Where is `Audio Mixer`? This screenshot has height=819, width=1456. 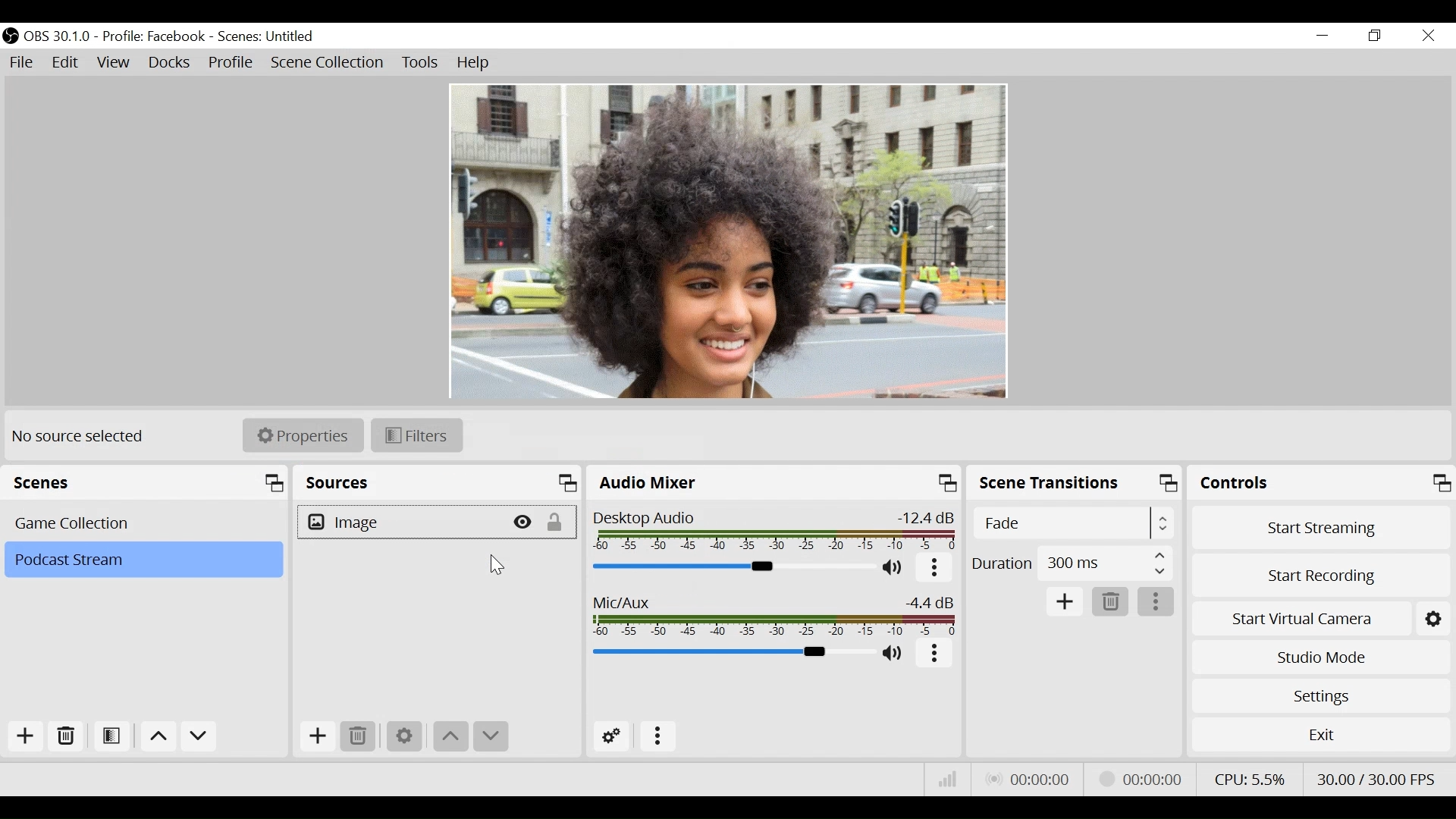 Audio Mixer is located at coordinates (774, 482).